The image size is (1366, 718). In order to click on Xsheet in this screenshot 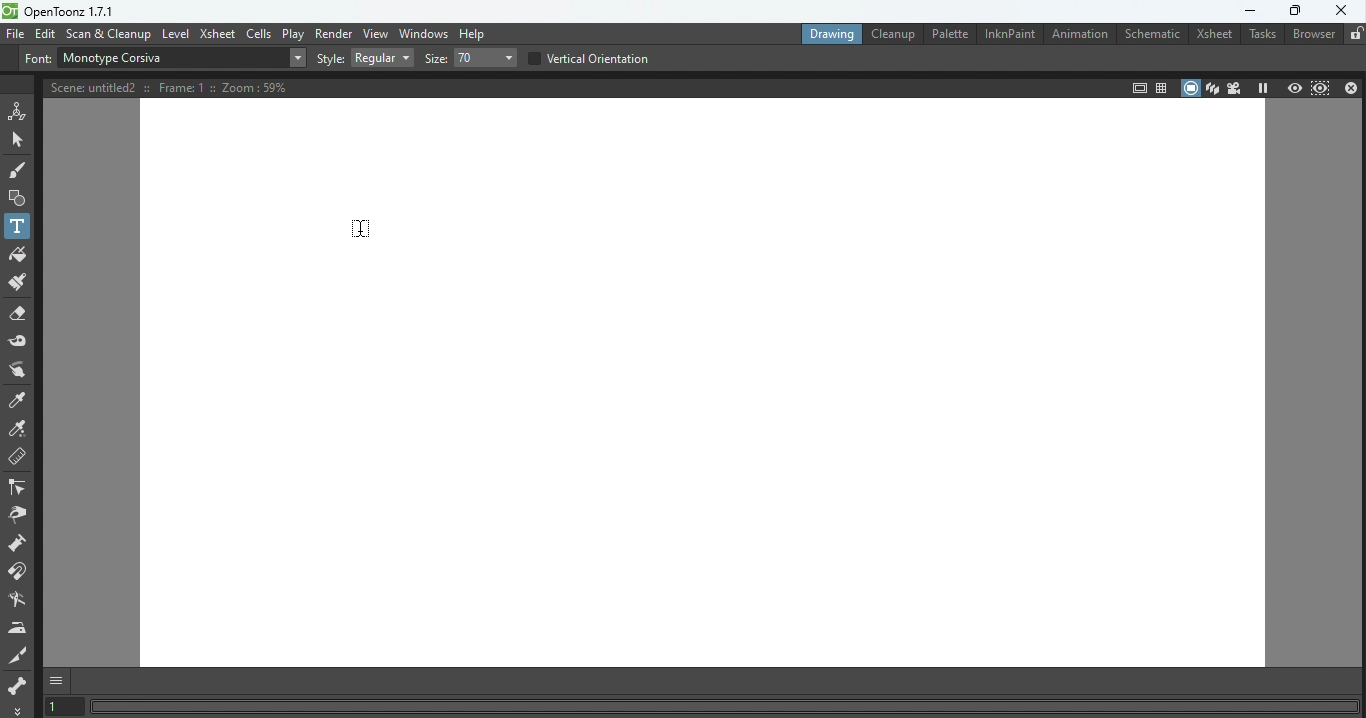, I will do `click(1214, 36)`.